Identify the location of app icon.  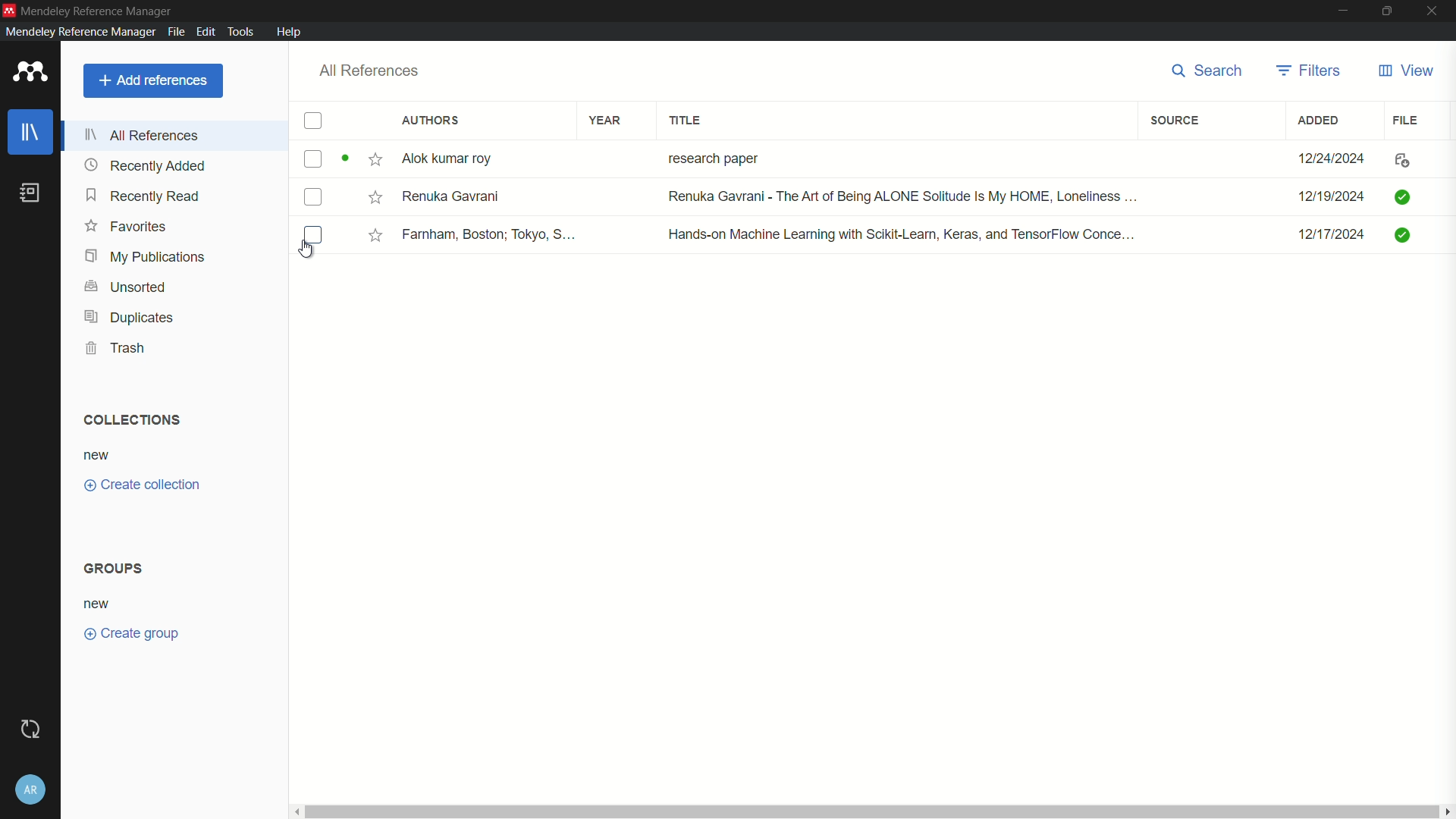
(30, 71).